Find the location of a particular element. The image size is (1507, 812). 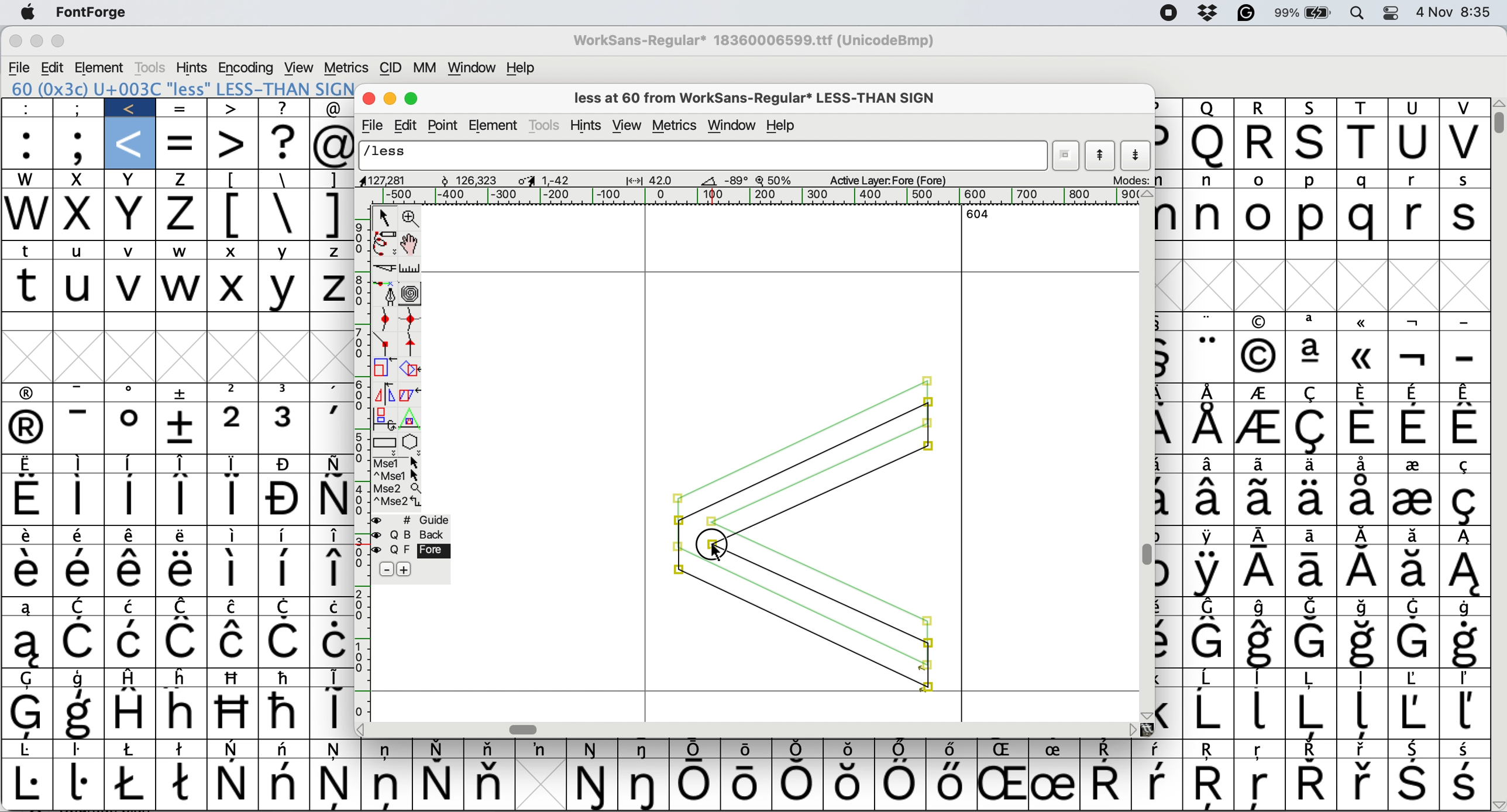

Symbol is located at coordinates (285, 677).